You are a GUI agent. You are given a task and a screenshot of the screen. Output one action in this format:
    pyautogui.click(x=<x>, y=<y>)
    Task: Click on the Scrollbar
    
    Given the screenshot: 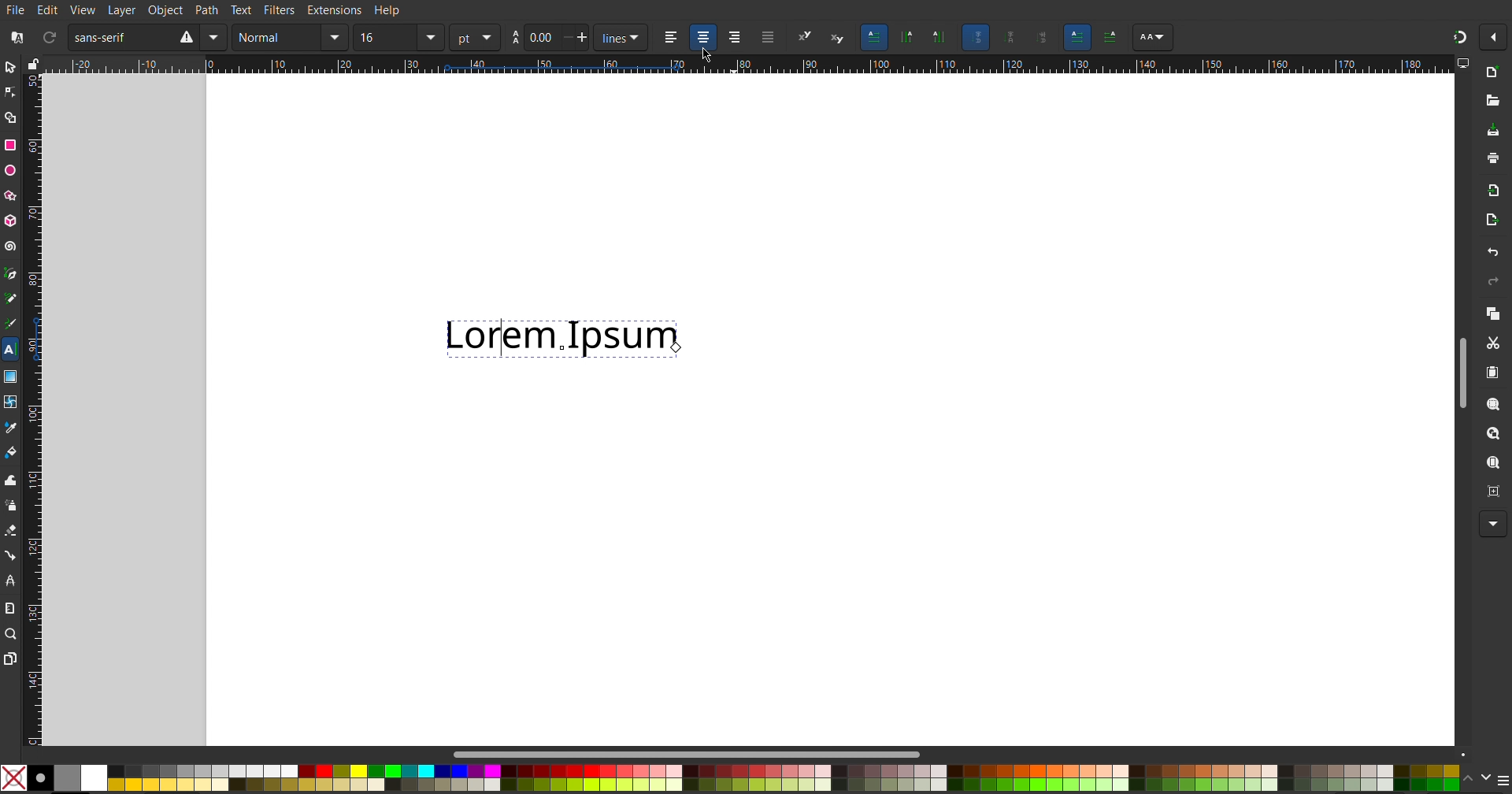 What is the action you would take?
    pyautogui.click(x=691, y=753)
    